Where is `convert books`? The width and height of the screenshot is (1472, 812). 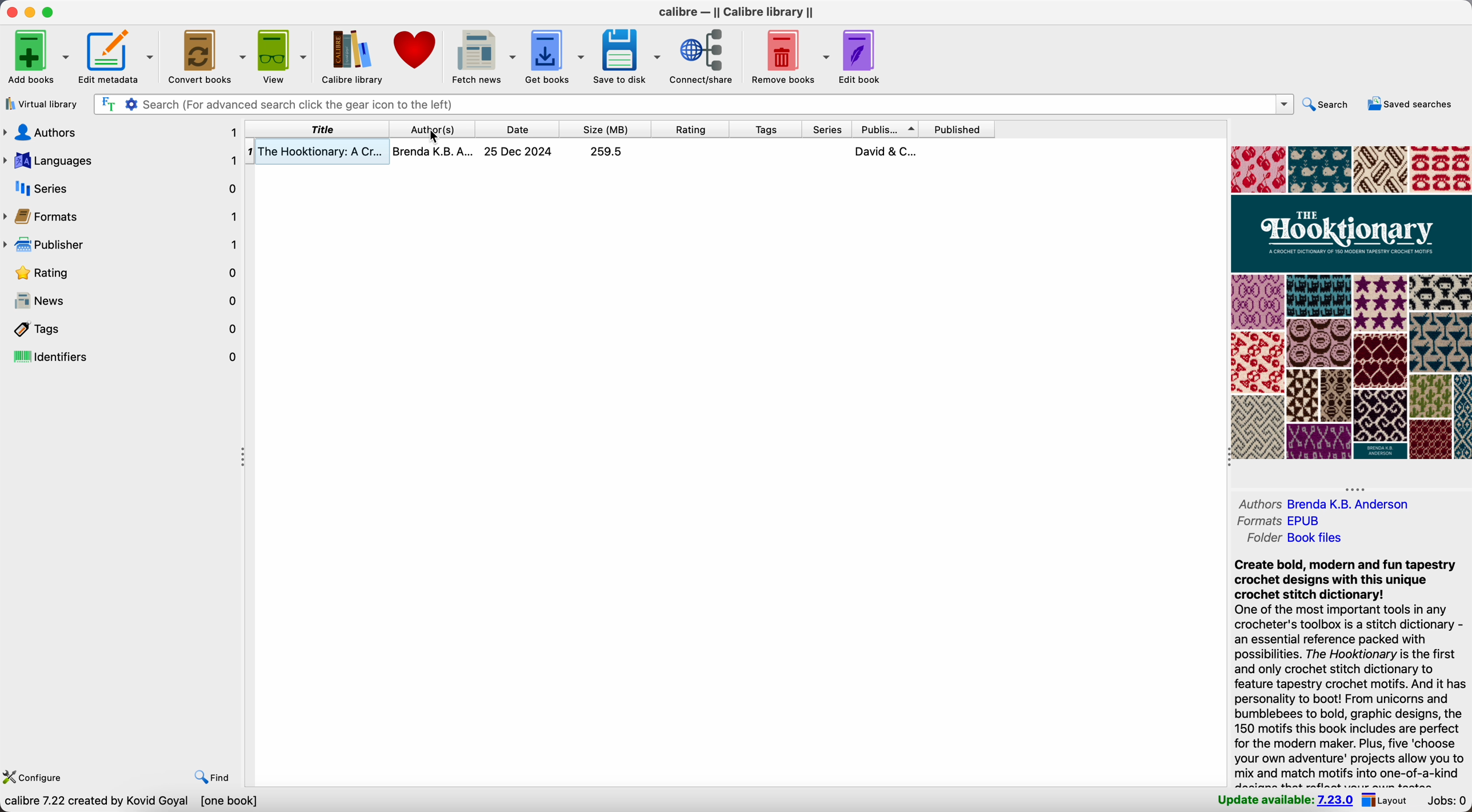
convert books is located at coordinates (205, 55).